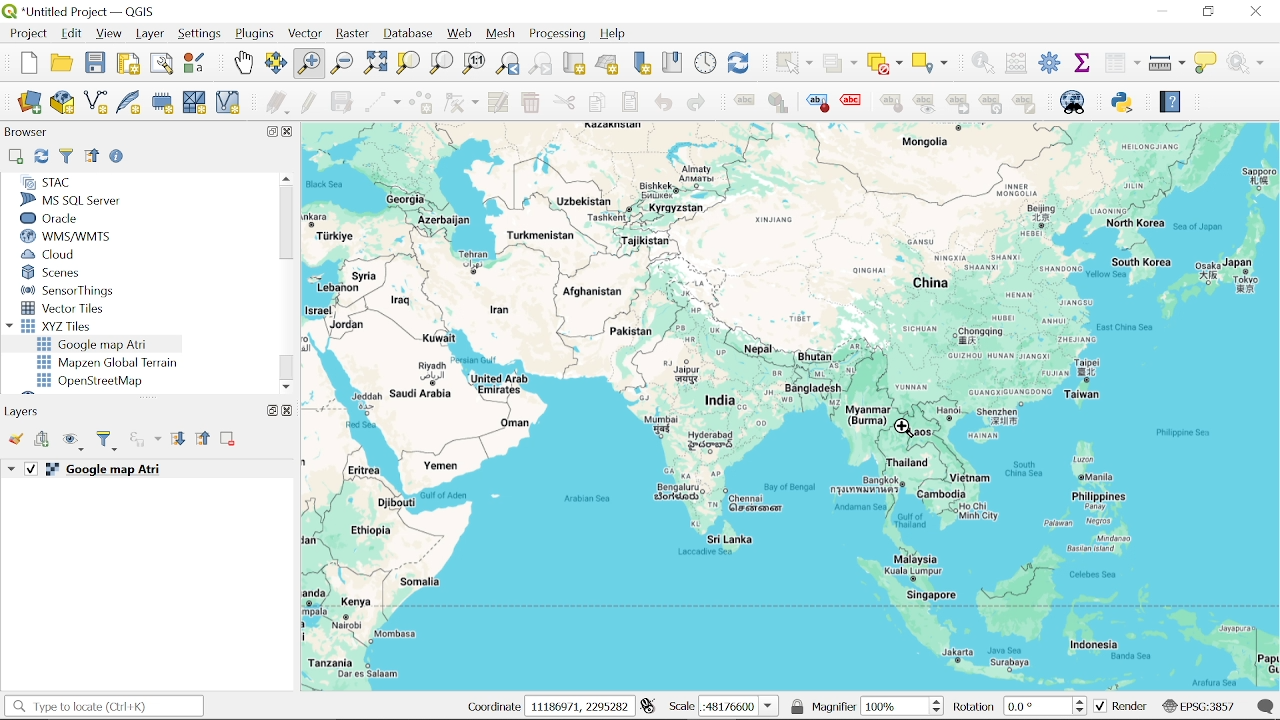 The image size is (1280, 720). What do you see at coordinates (1207, 62) in the screenshot?
I see `Show map tips` at bounding box center [1207, 62].